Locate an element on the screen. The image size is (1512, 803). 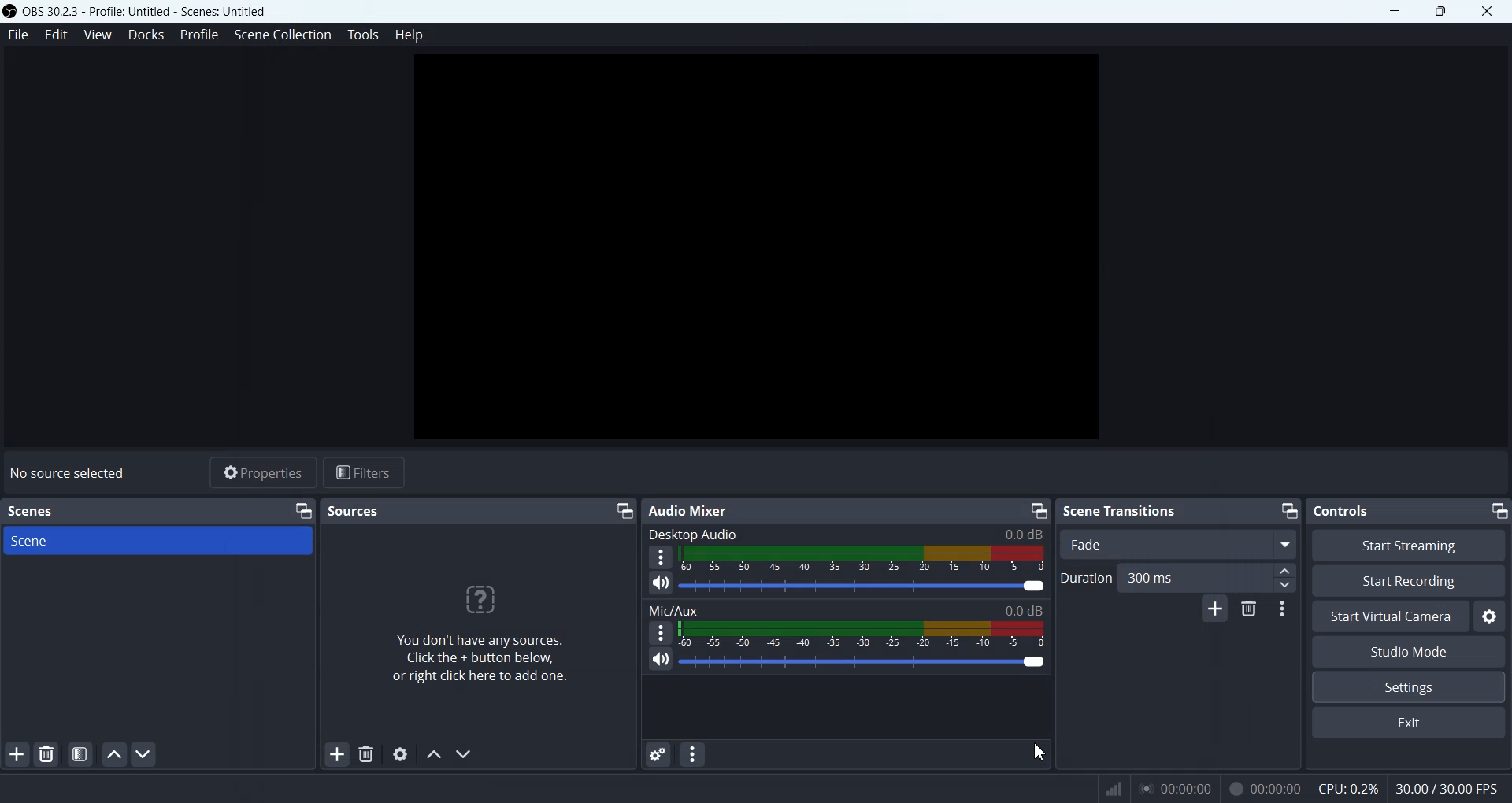
‘OBS 30.2.3 - Profile: Untitled - Scenes: Untitled is located at coordinates (137, 13).